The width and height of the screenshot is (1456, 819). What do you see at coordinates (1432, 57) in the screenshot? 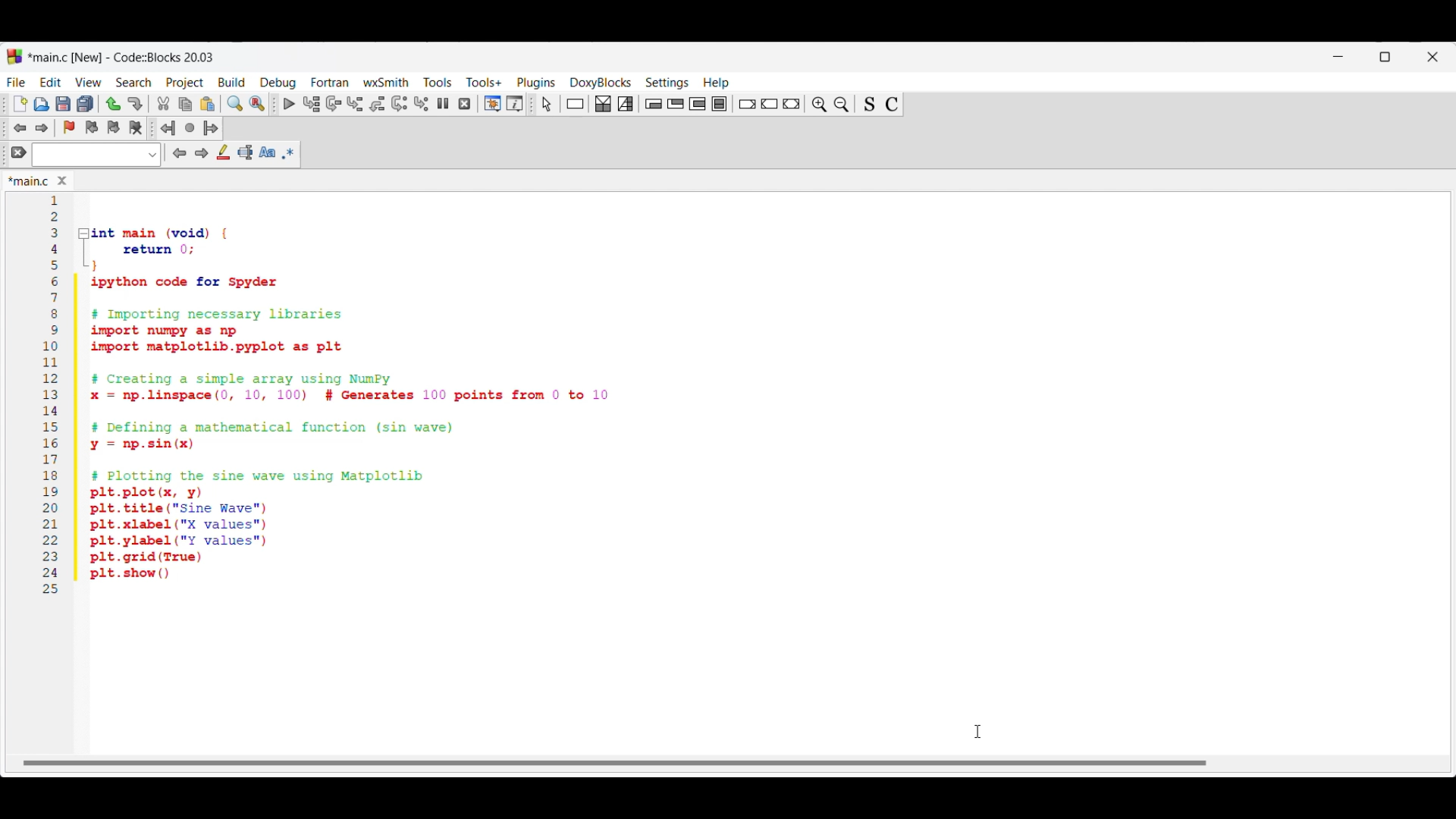
I see `Close interface` at bounding box center [1432, 57].